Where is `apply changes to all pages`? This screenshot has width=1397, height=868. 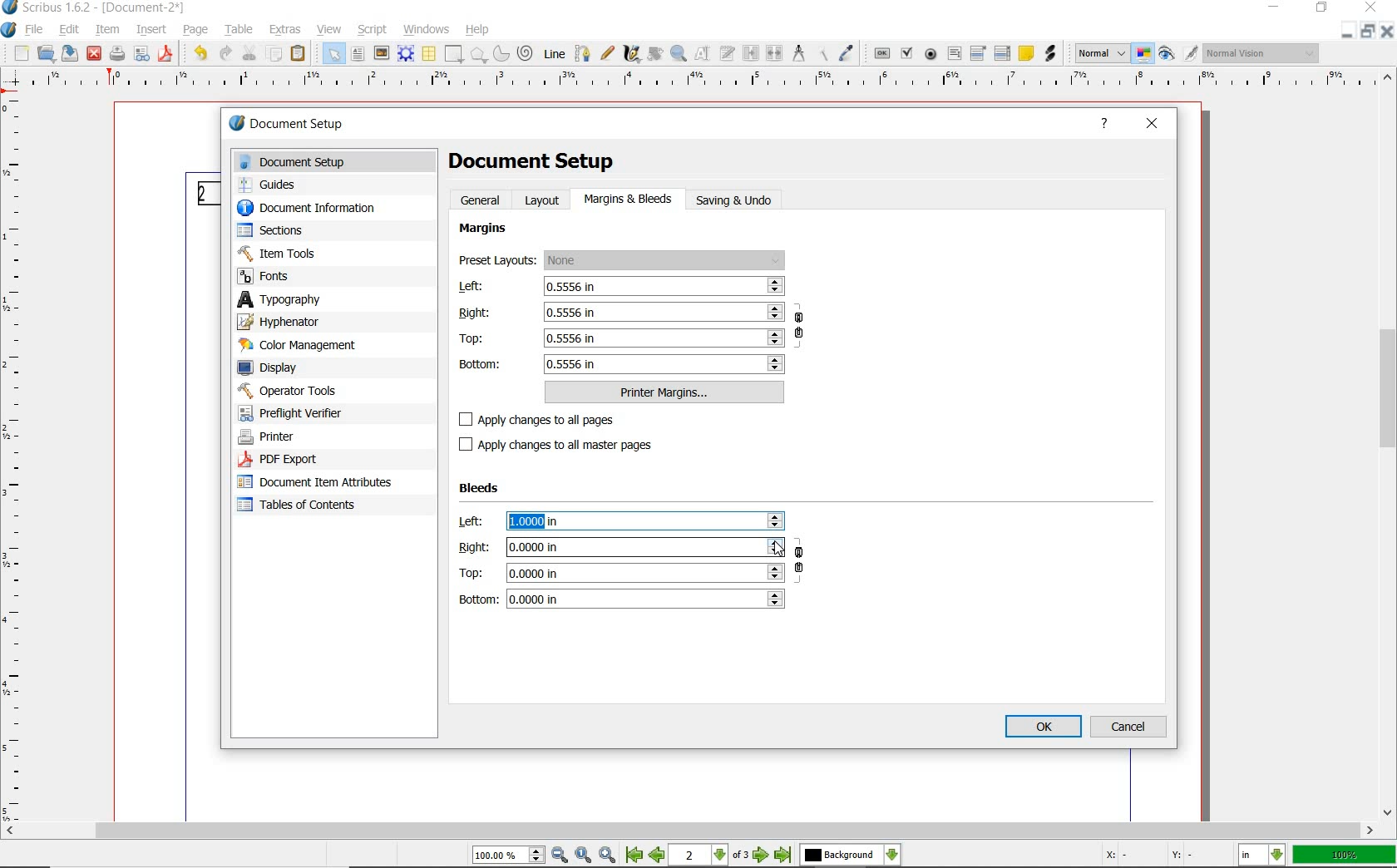
apply changes to all pages is located at coordinates (547, 421).